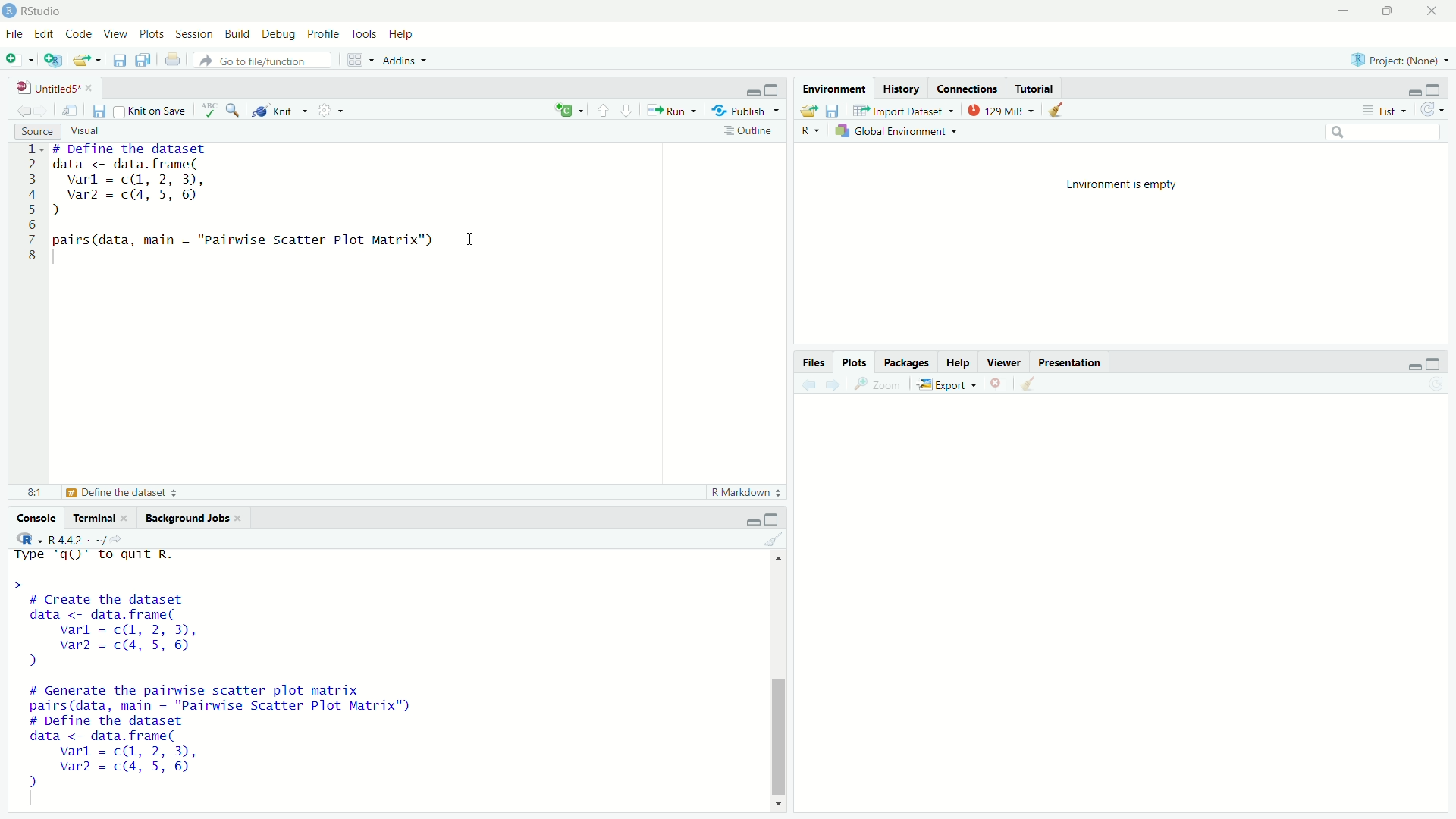 This screenshot has width=1456, height=819. I want to click on Environment, so click(832, 86).